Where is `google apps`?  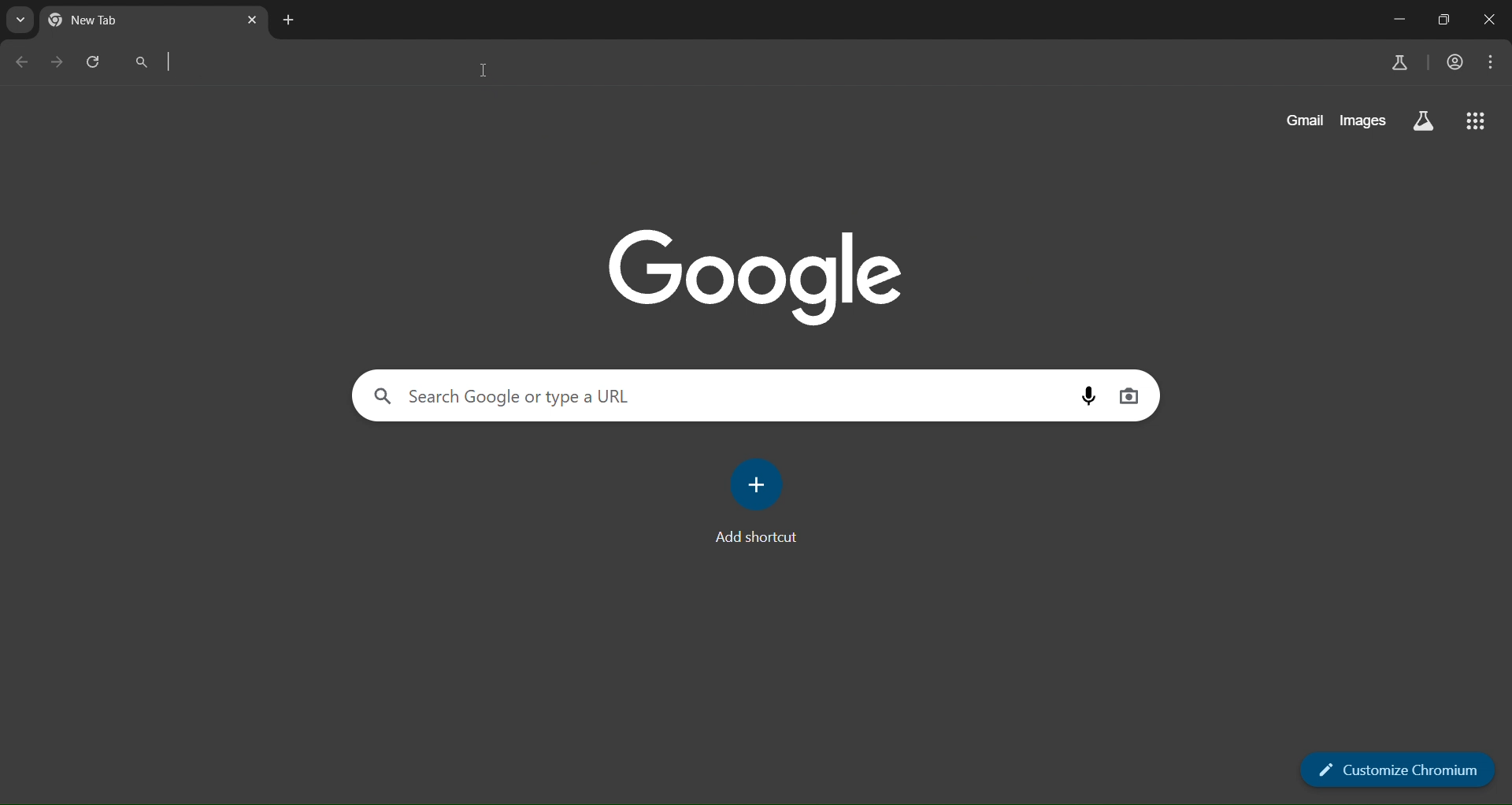 google apps is located at coordinates (1473, 123).